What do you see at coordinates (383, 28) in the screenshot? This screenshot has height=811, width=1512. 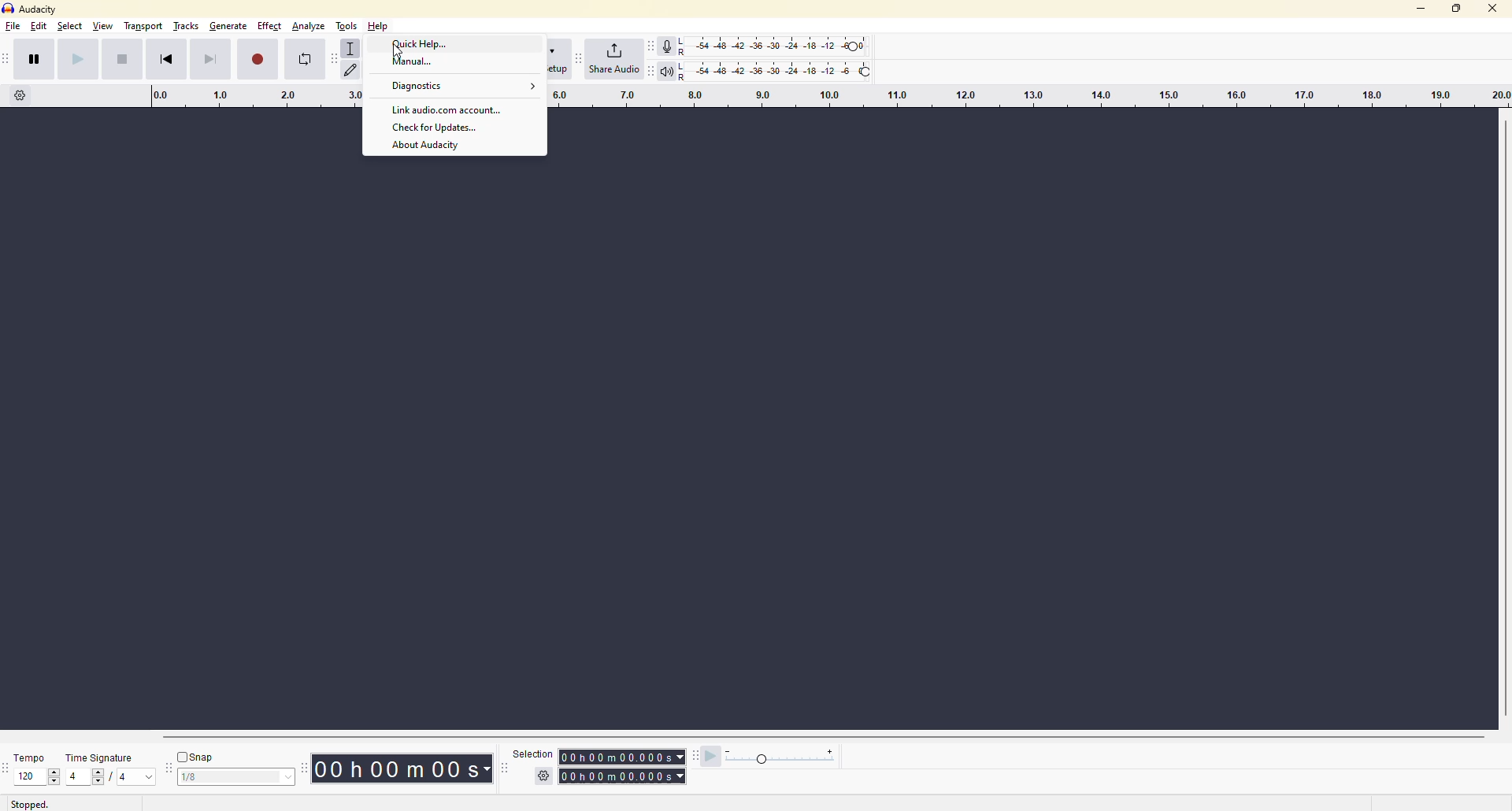 I see `help` at bounding box center [383, 28].